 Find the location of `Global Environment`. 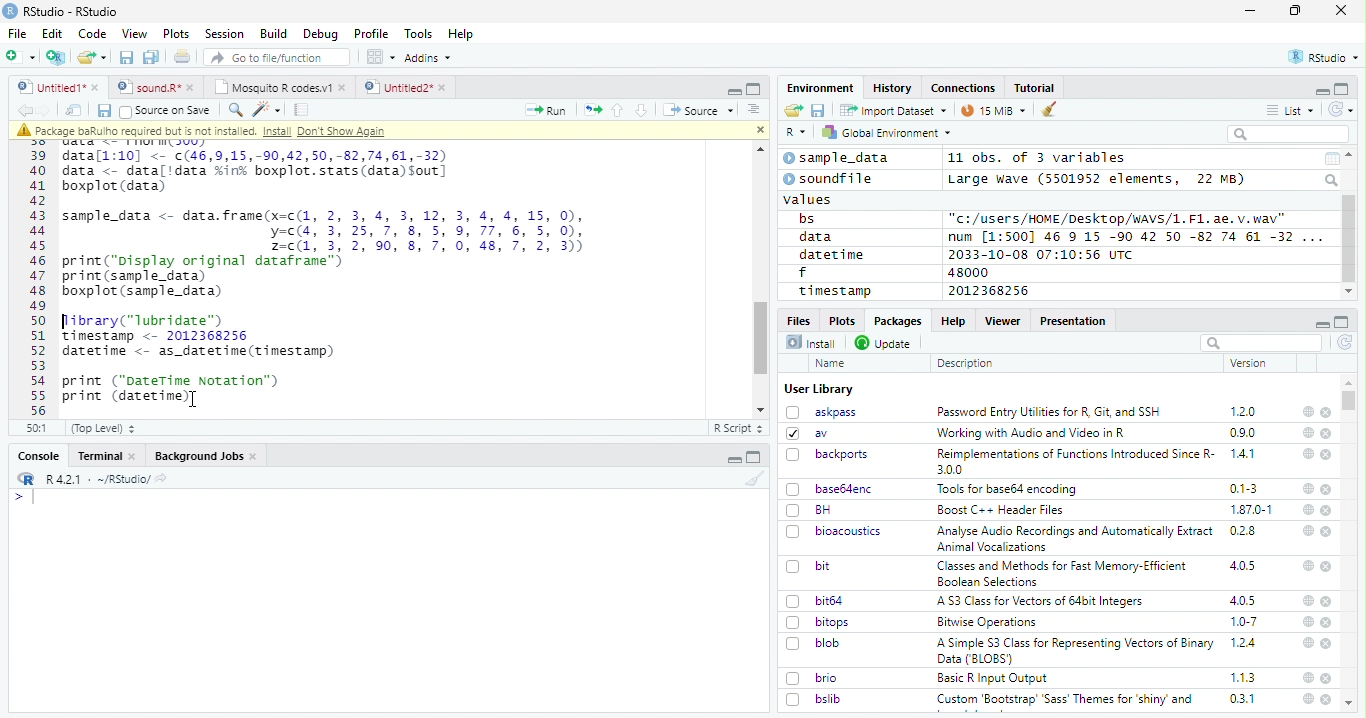

Global Environment is located at coordinates (888, 131).